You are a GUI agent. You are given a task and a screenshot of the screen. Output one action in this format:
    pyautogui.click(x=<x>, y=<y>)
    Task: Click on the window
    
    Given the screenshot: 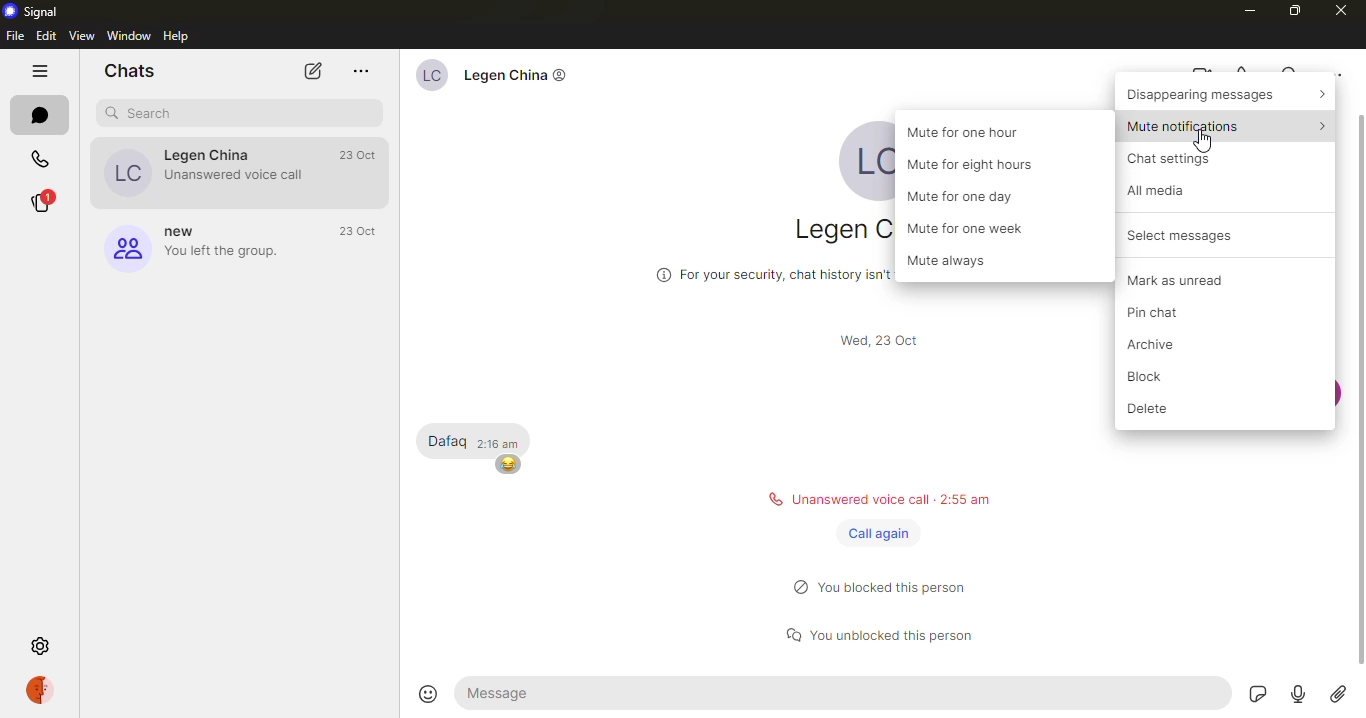 What is the action you would take?
    pyautogui.click(x=128, y=35)
    